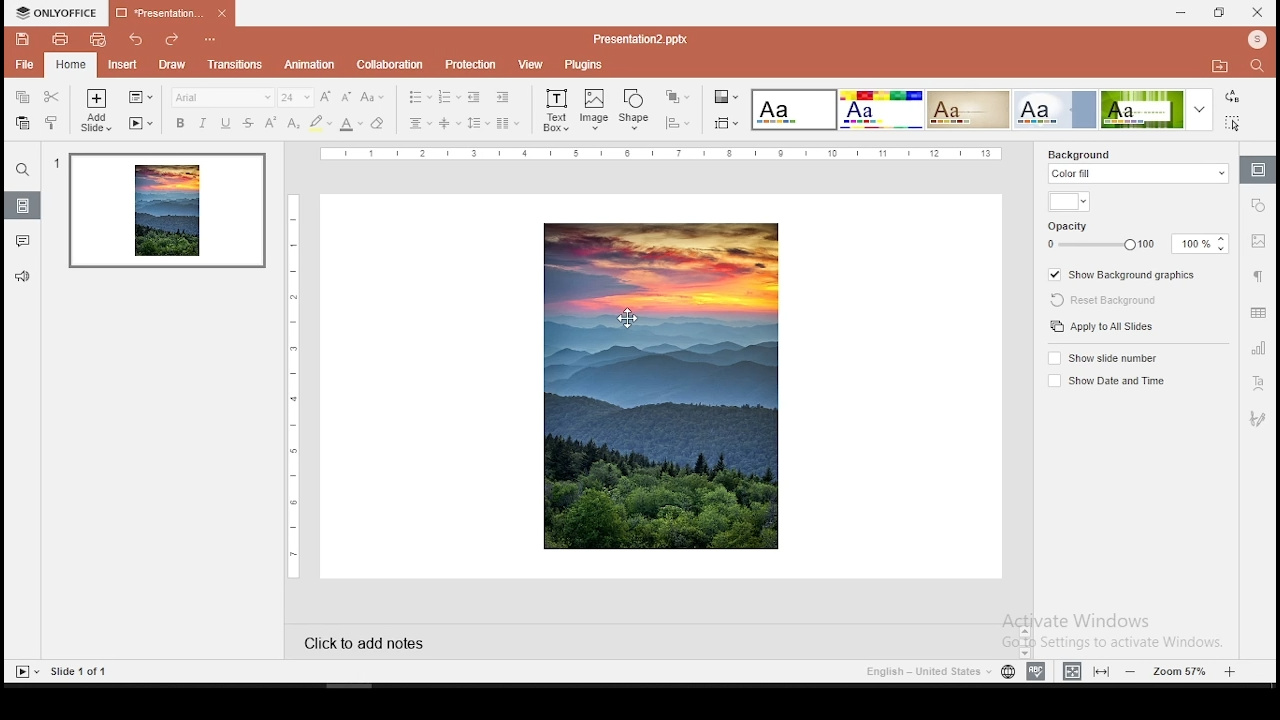 The image size is (1280, 720). What do you see at coordinates (474, 97) in the screenshot?
I see `decrease indent` at bounding box center [474, 97].